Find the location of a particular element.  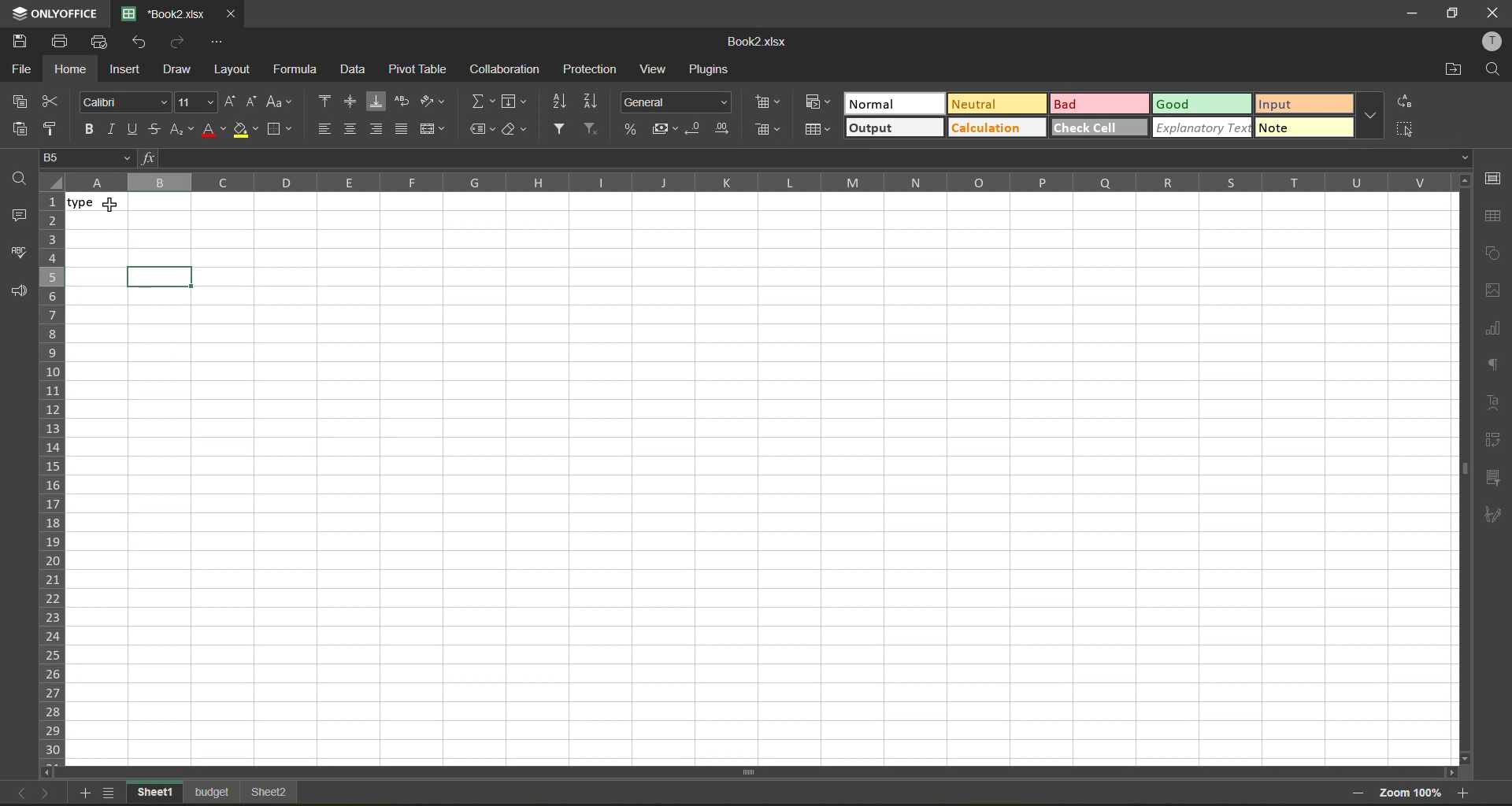

row numbers is located at coordinates (53, 477).